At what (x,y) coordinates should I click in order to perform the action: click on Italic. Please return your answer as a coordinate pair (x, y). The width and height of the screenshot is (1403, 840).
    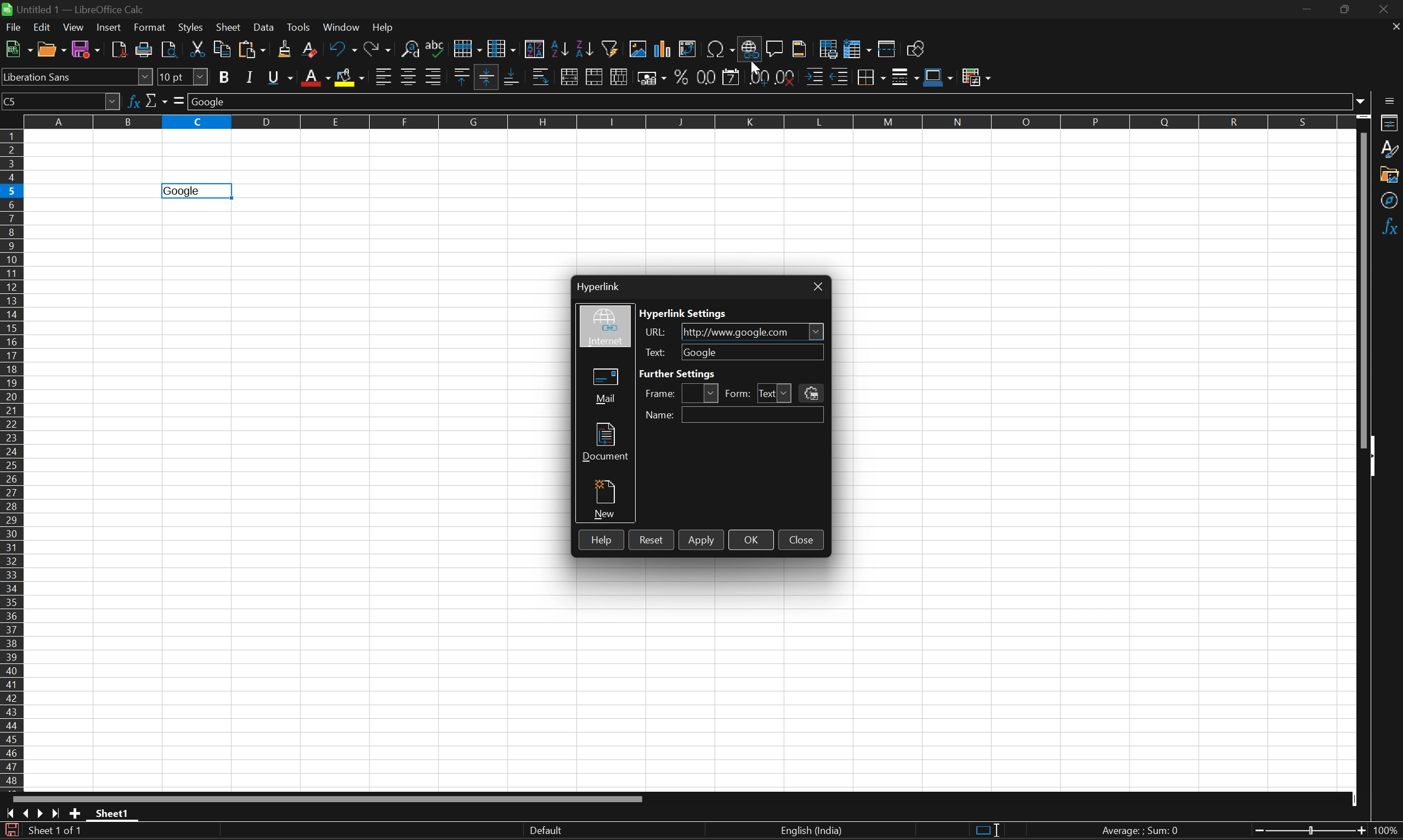
    Looking at the image, I should click on (251, 78).